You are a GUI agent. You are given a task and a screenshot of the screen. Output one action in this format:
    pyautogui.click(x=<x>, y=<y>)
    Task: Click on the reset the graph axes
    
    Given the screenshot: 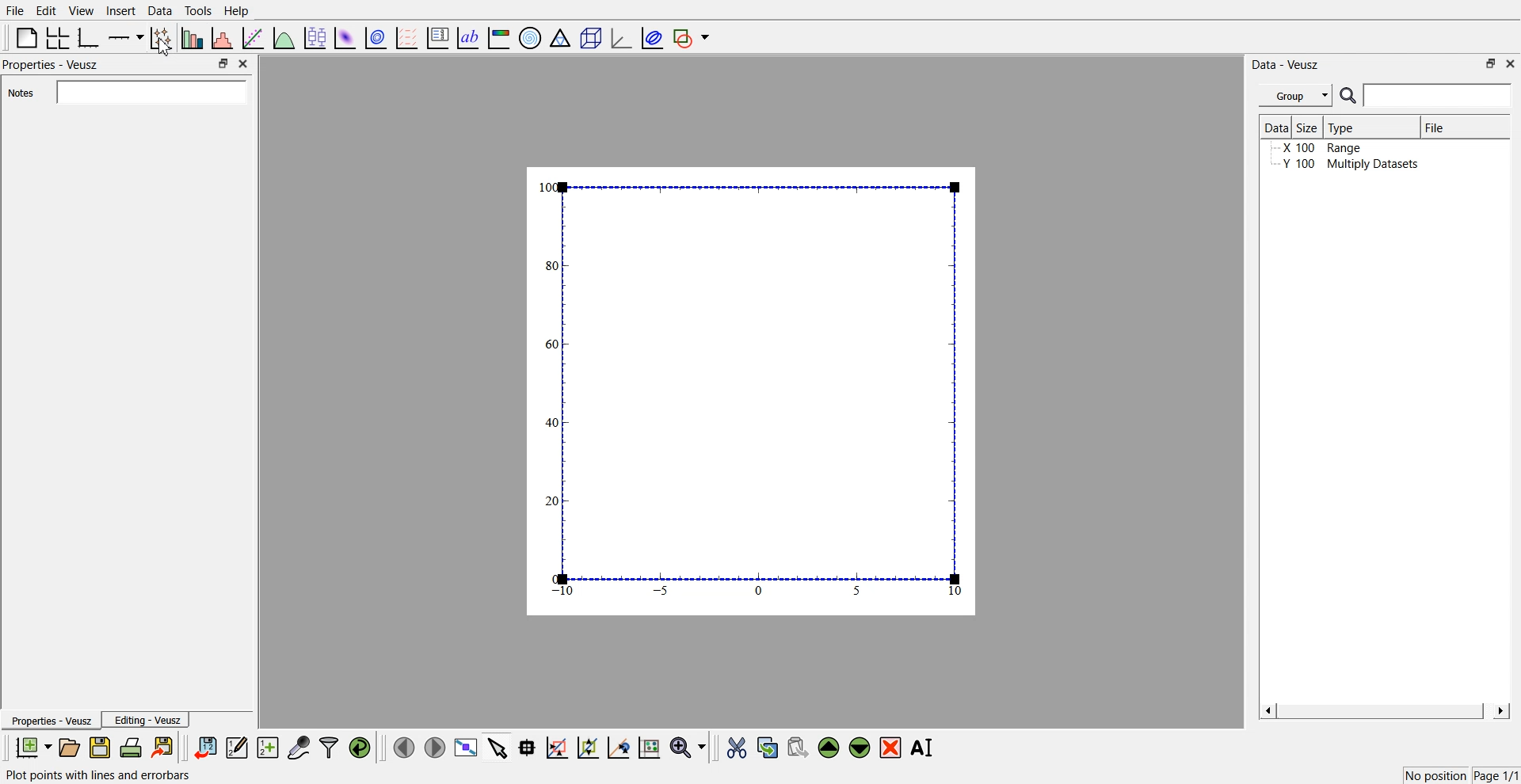 What is the action you would take?
    pyautogui.click(x=649, y=748)
    